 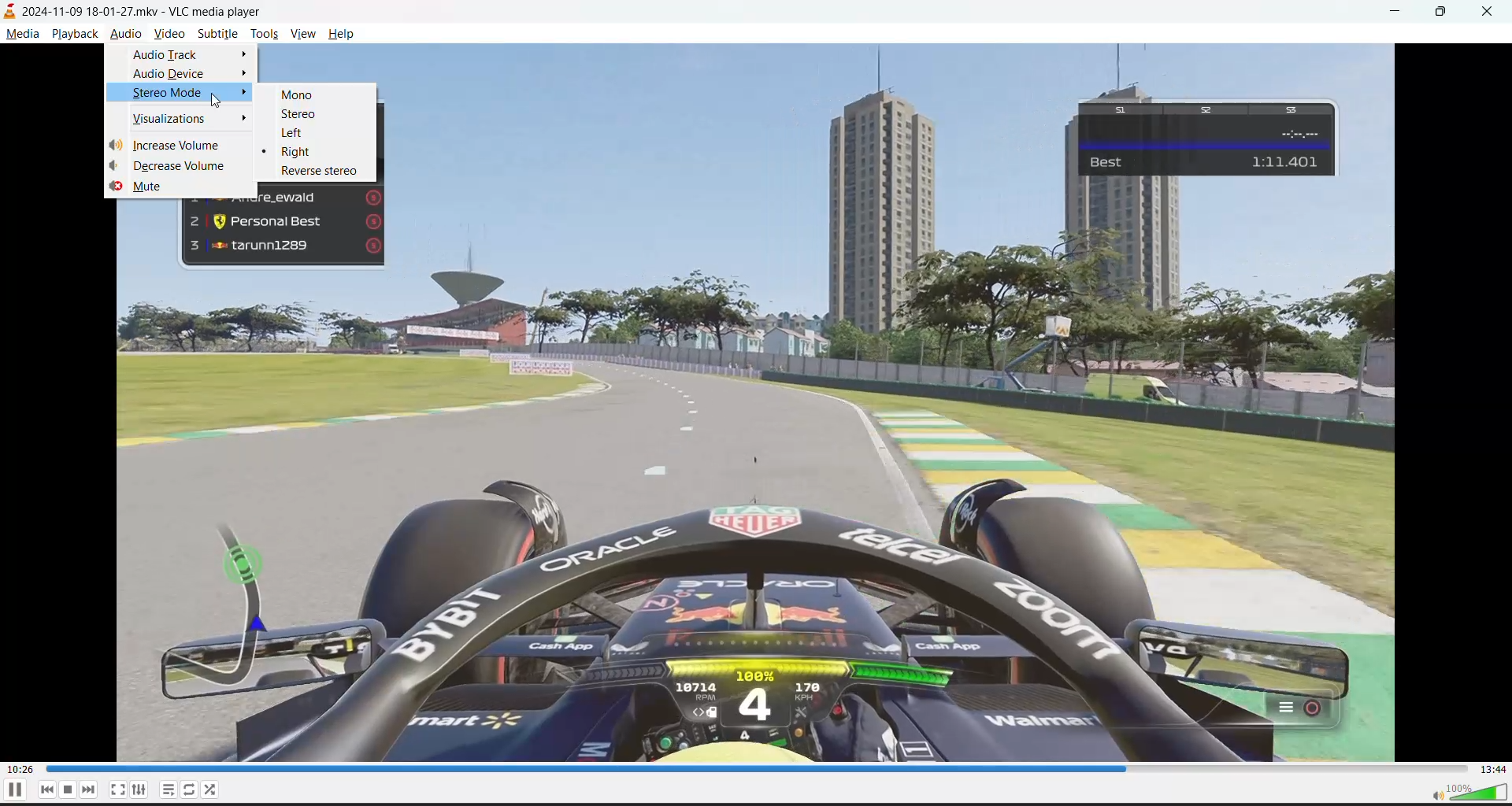 What do you see at coordinates (127, 35) in the screenshot?
I see `audio` at bounding box center [127, 35].